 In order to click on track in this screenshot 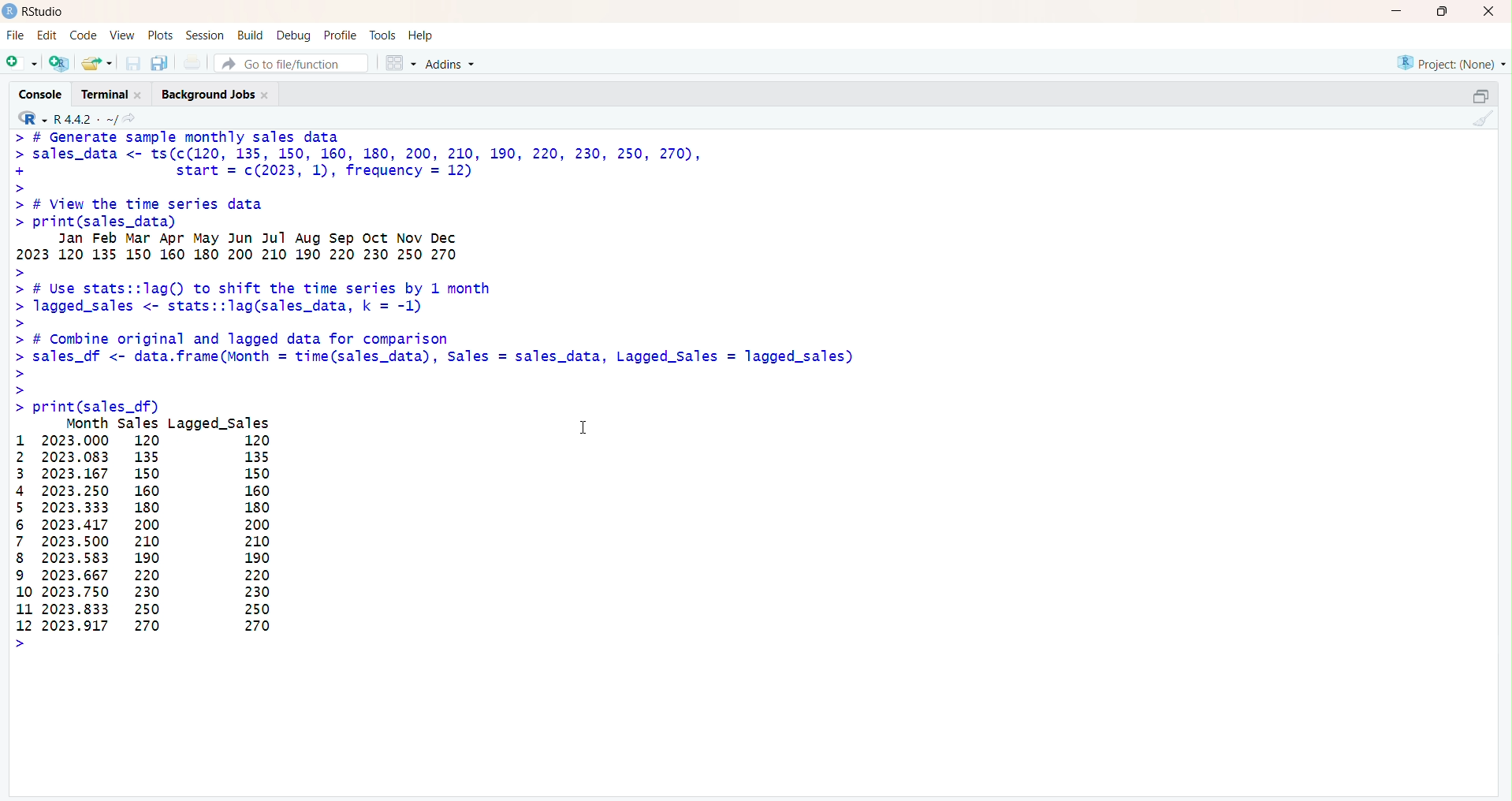, I will do `click(384, 34)`.